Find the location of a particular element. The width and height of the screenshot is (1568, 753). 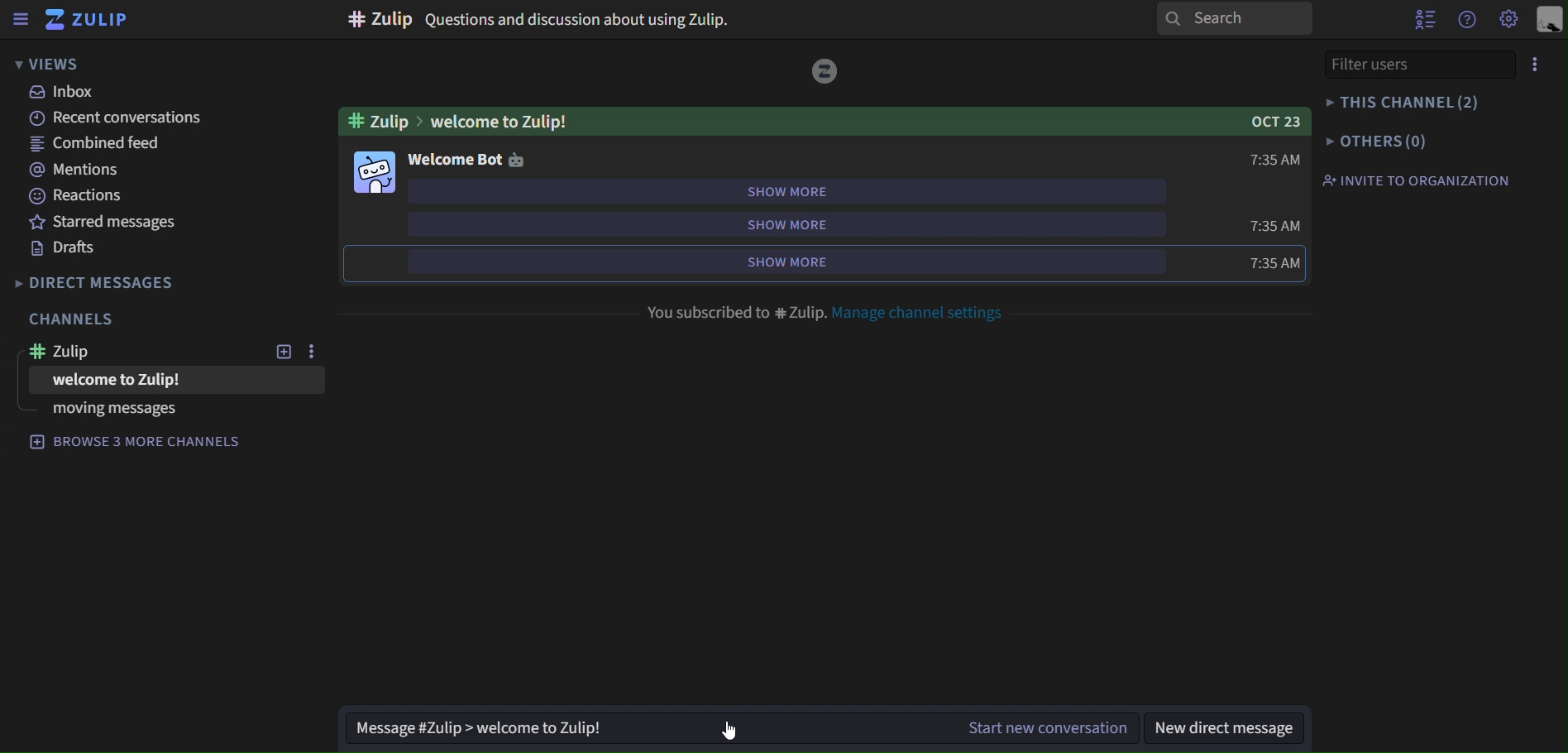

More options is located at coordinates (1537, 64).